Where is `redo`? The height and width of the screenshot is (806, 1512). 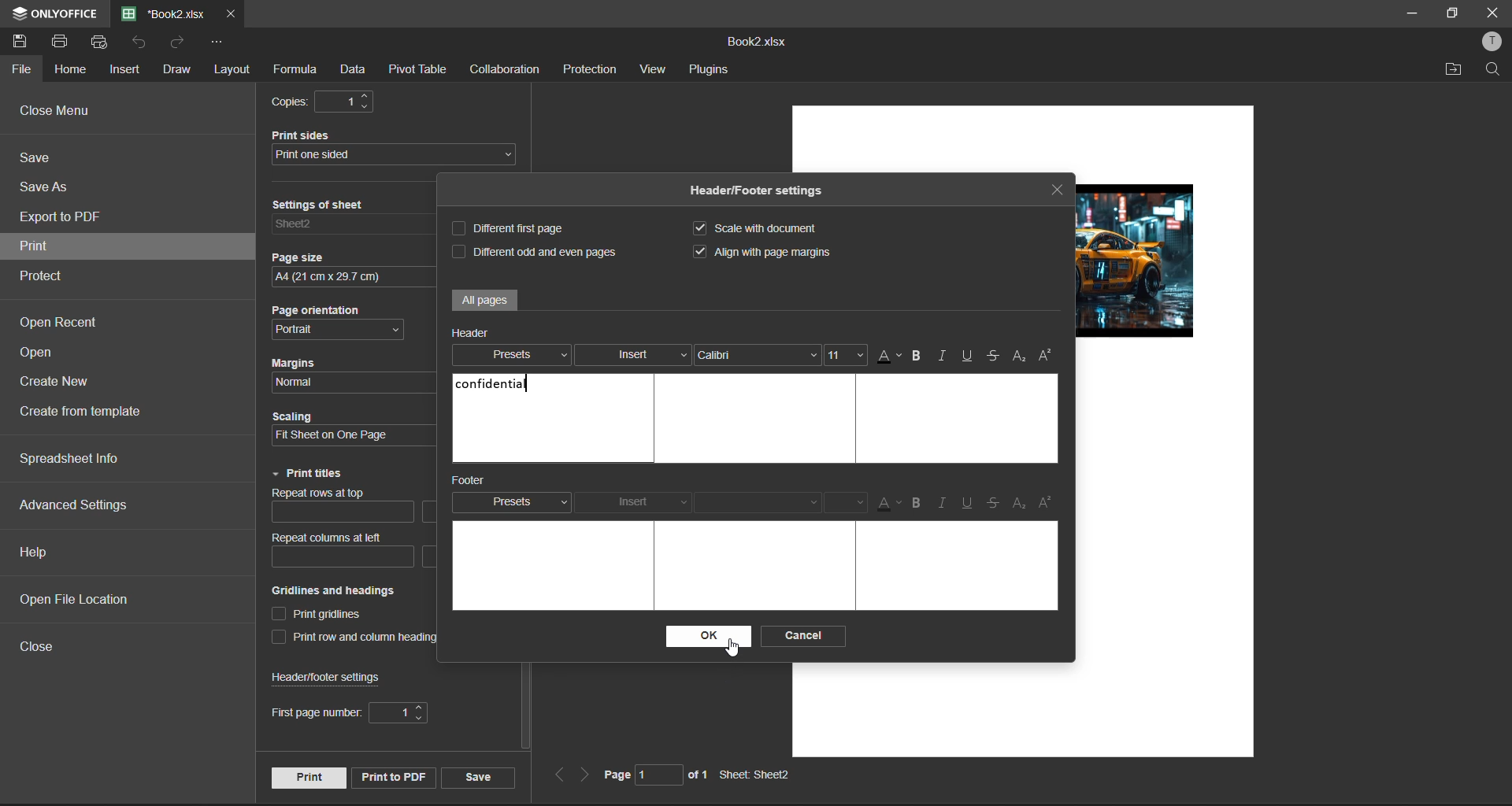
redo is located at coordinates (180, 45).